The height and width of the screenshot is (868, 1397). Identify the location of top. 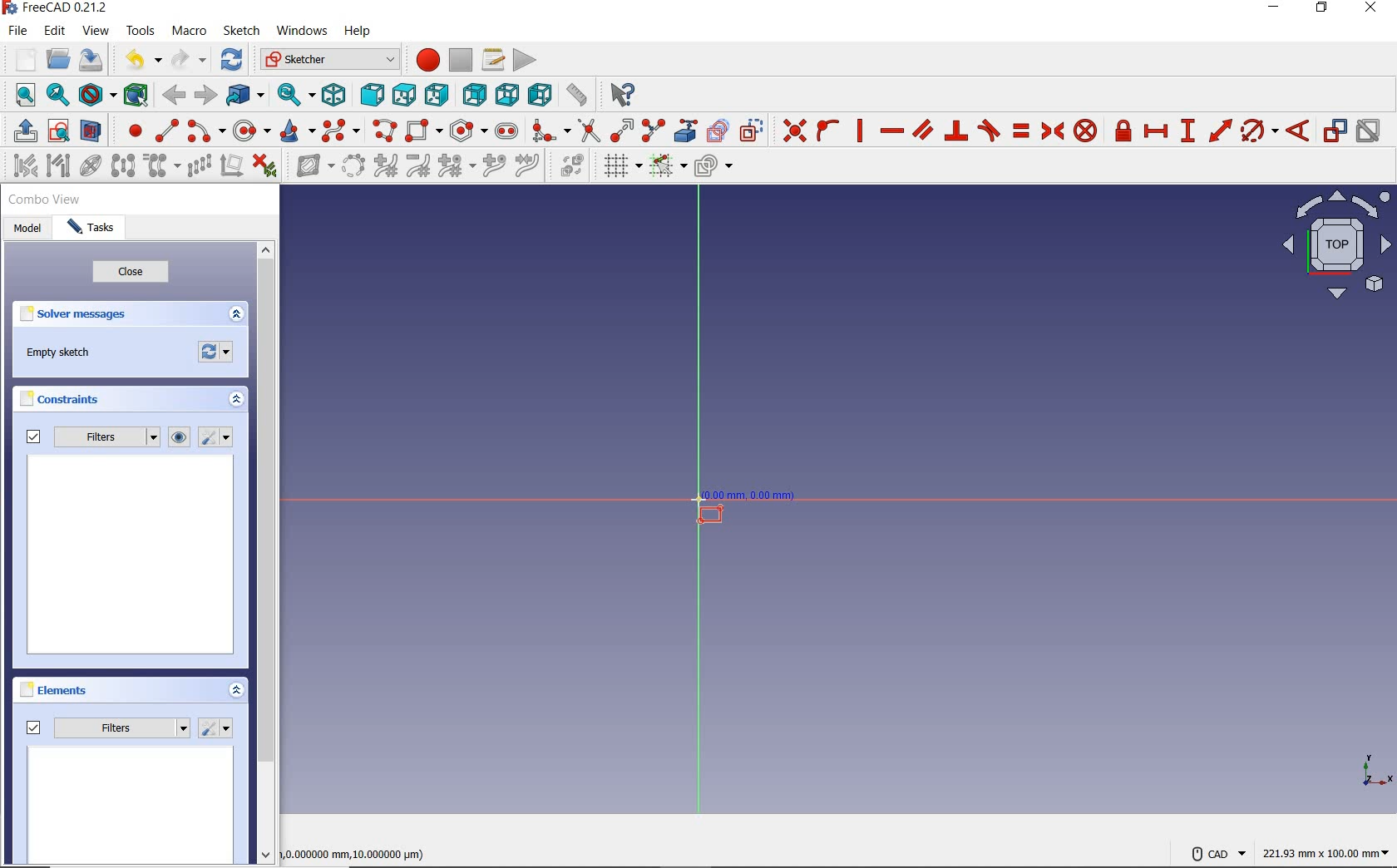
(404, 95).